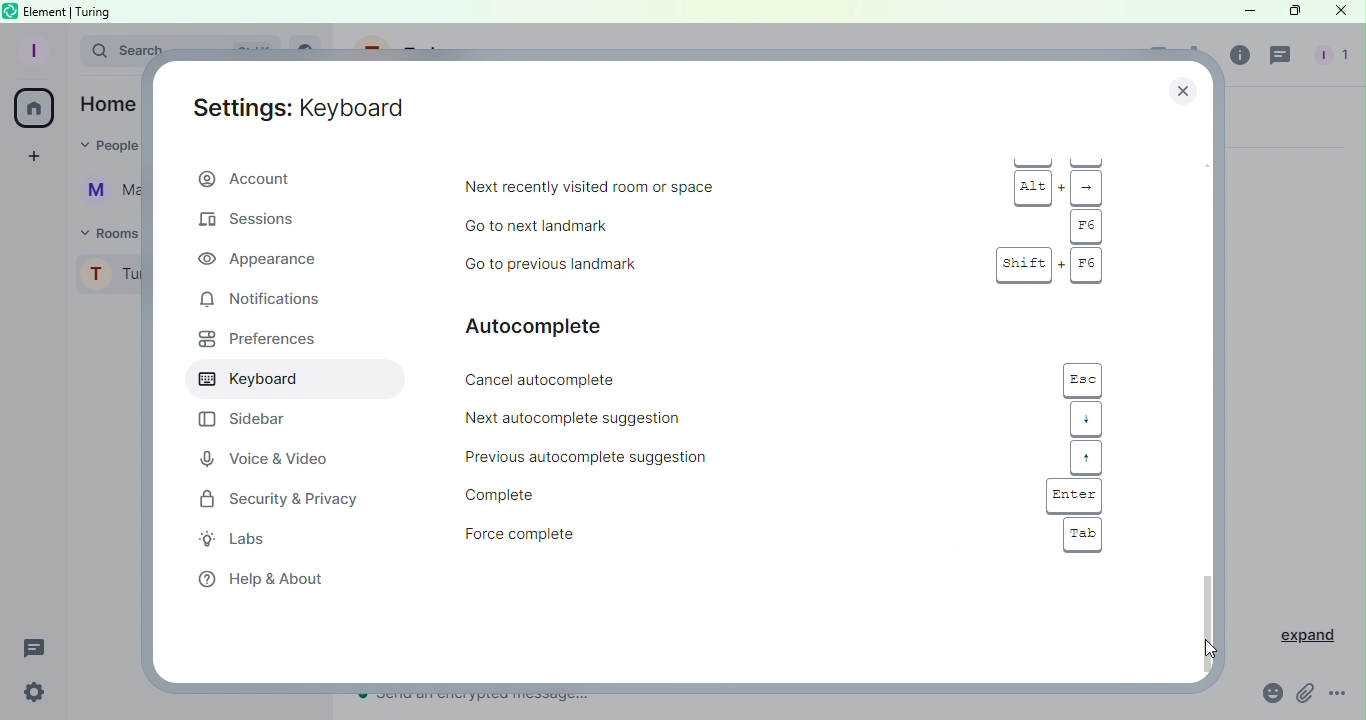 The image size is (1366, 720). Describe the element at coordinates (1208, 406) in the screenshot. I see `Scroll bar` at that location.